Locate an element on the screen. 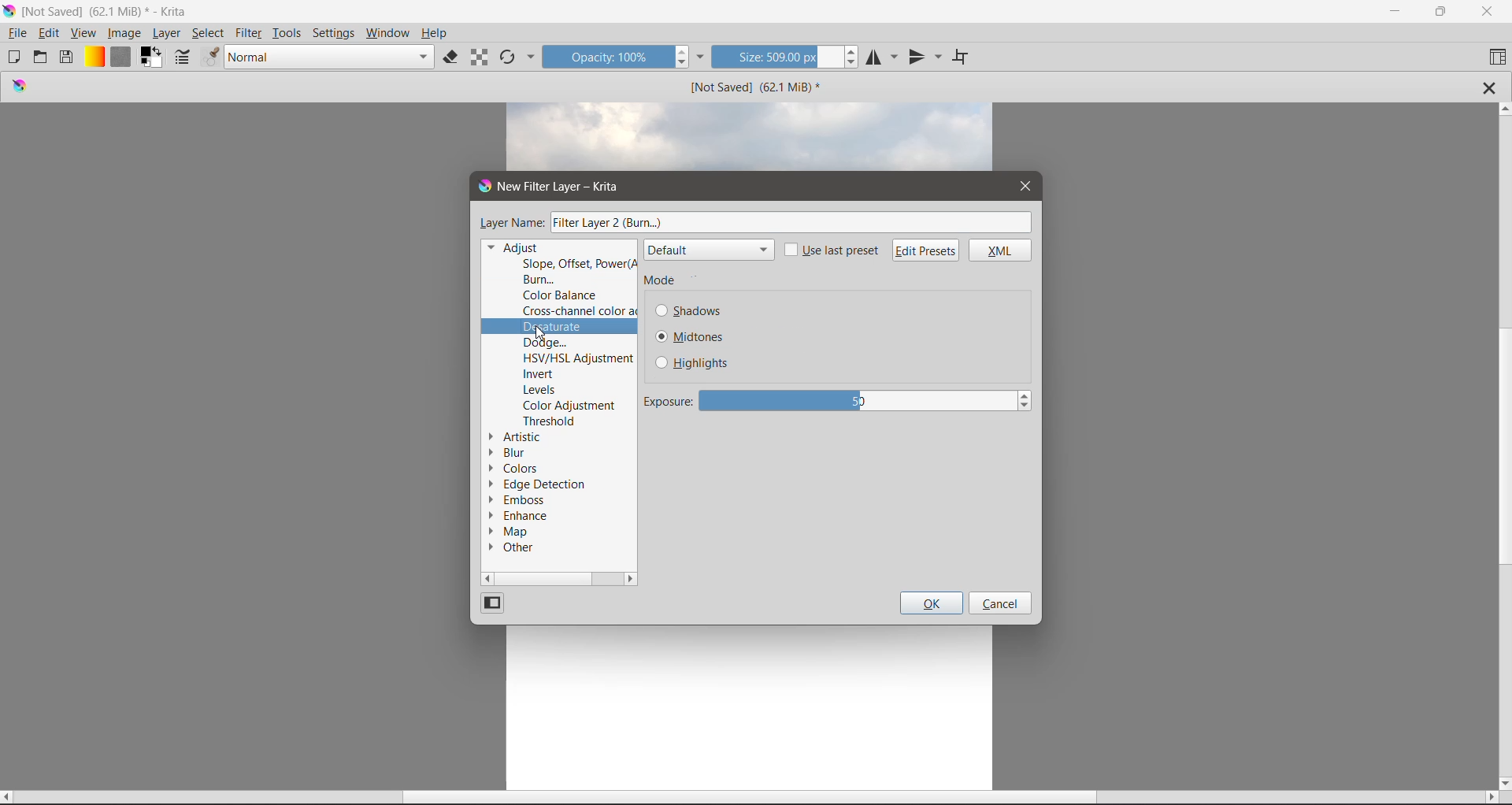  Layer Name is located at coordinates (512, 224).